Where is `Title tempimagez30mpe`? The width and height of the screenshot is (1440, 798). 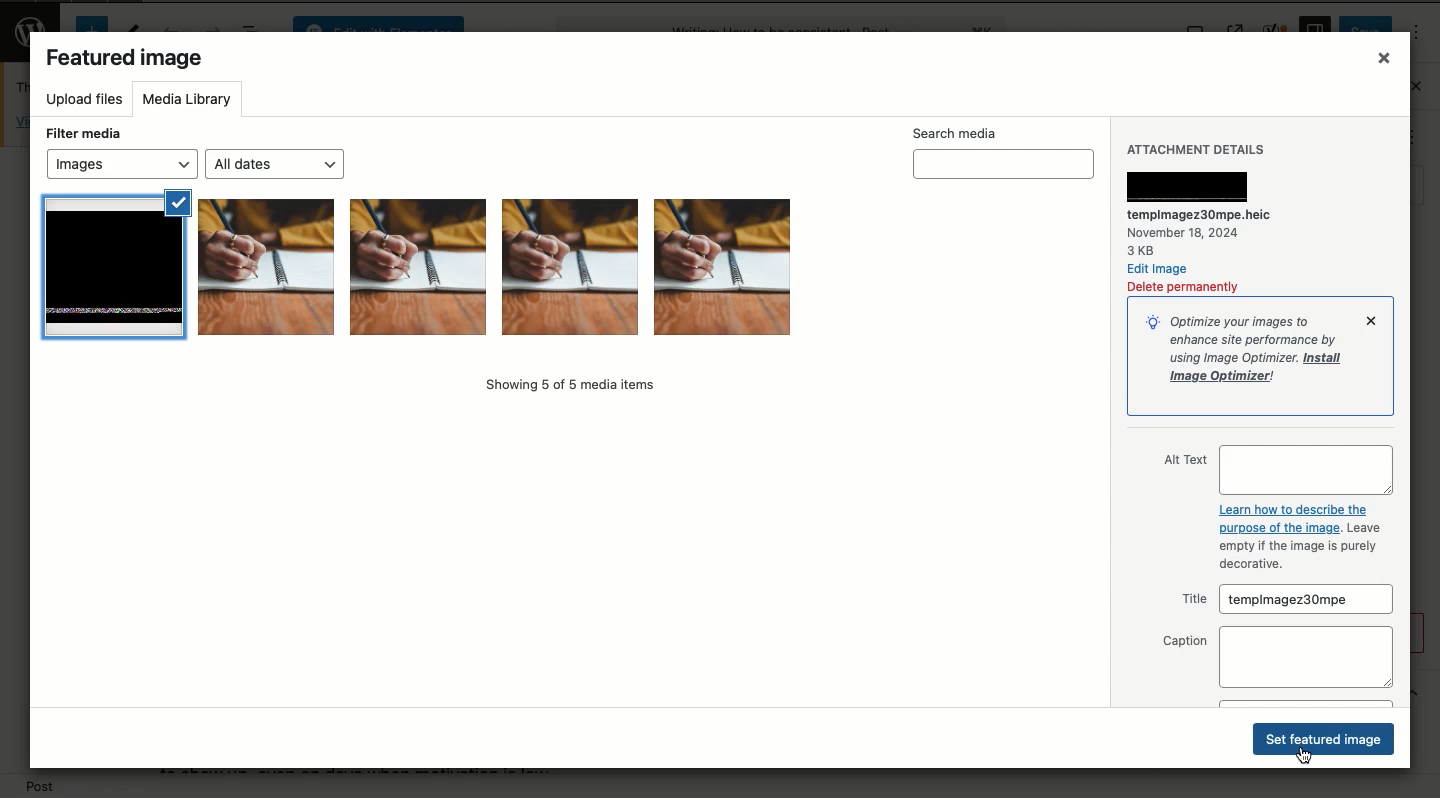 Title tempimagez30mpe is located at coordinates (1282, 599).